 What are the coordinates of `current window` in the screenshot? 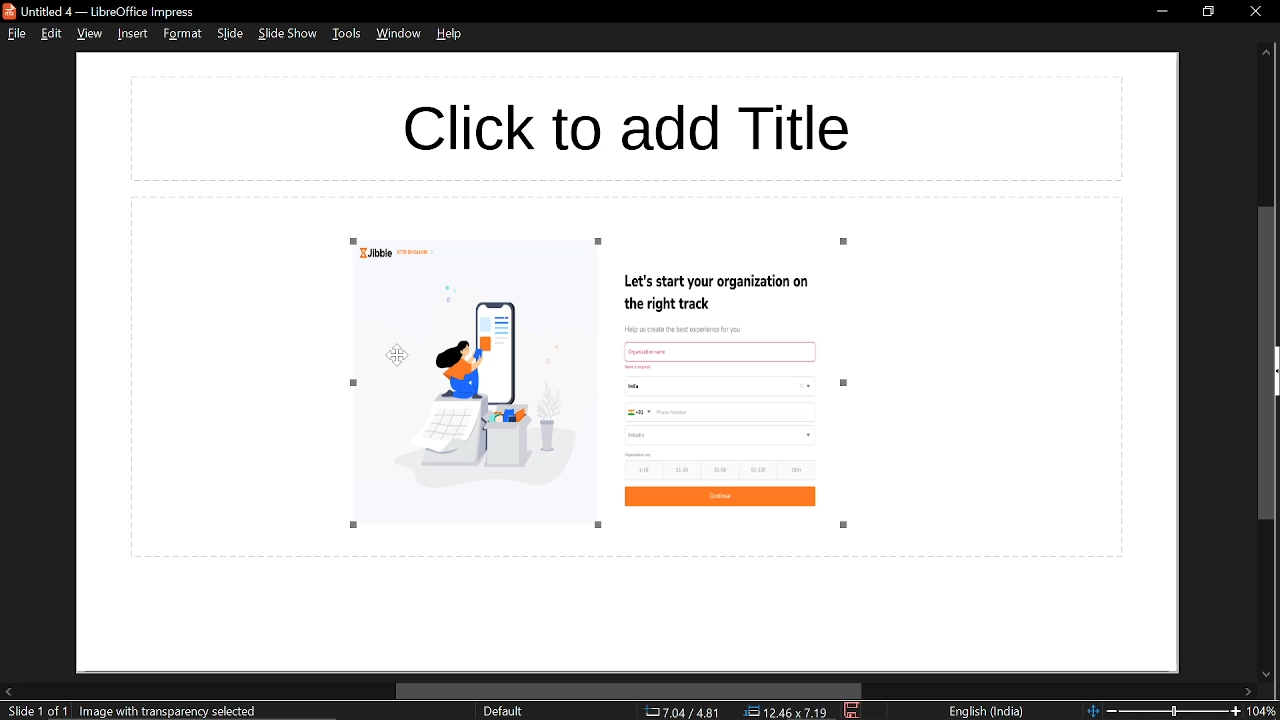 It's located at (102, 10).